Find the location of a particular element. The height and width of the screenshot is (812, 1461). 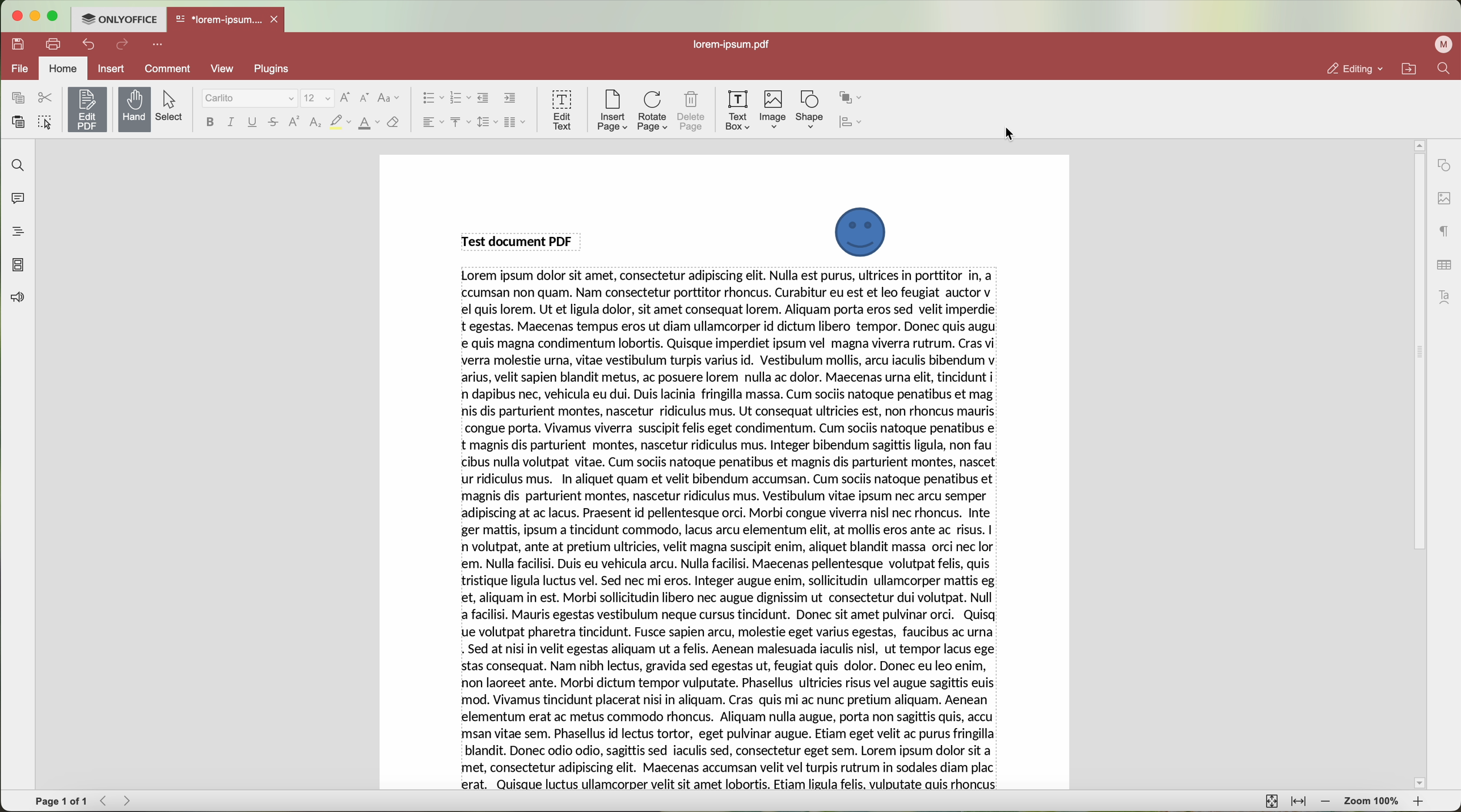

clear style is located at coordinates (392, 122).